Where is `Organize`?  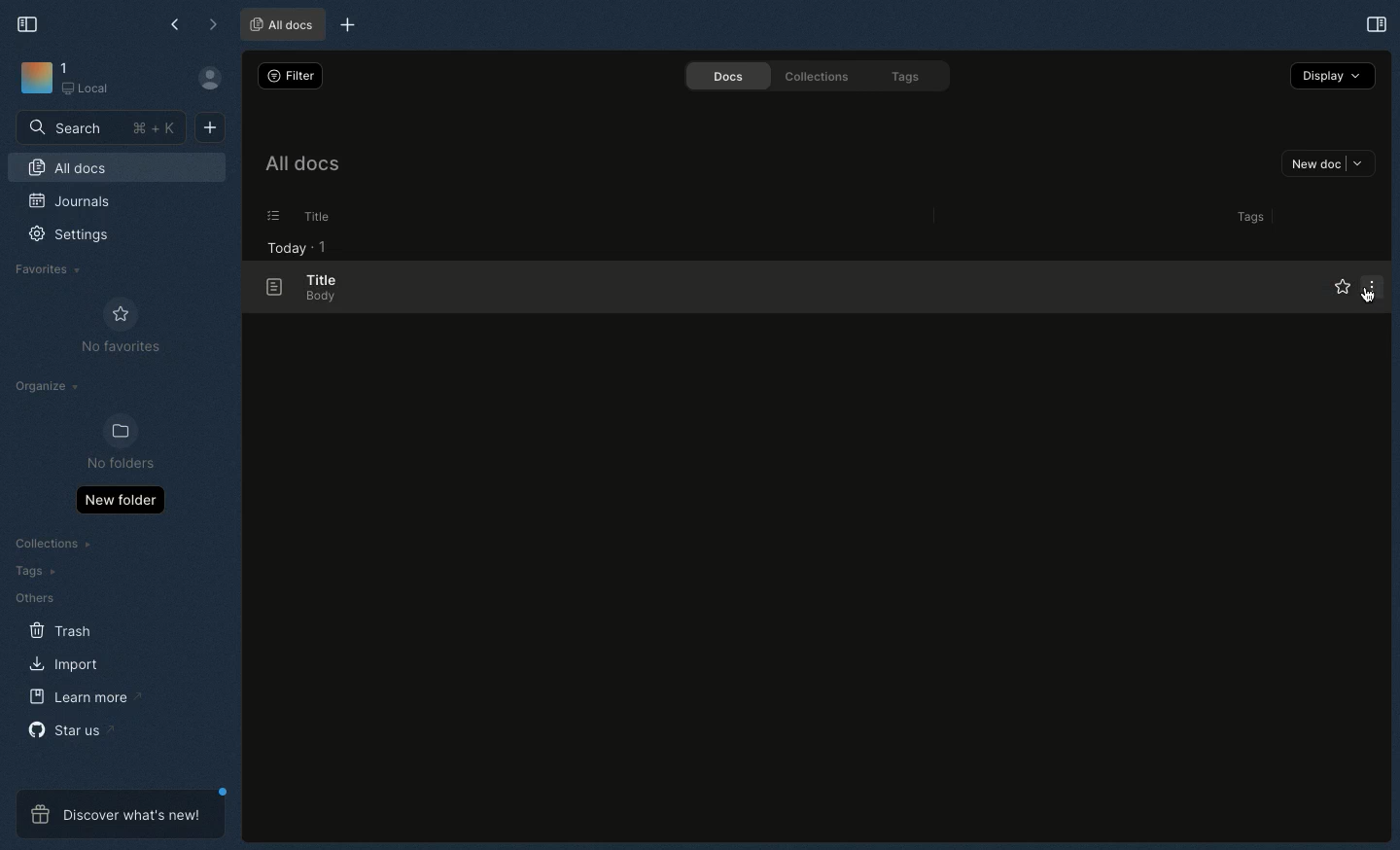 Organize is located at coordinates (50, 389).